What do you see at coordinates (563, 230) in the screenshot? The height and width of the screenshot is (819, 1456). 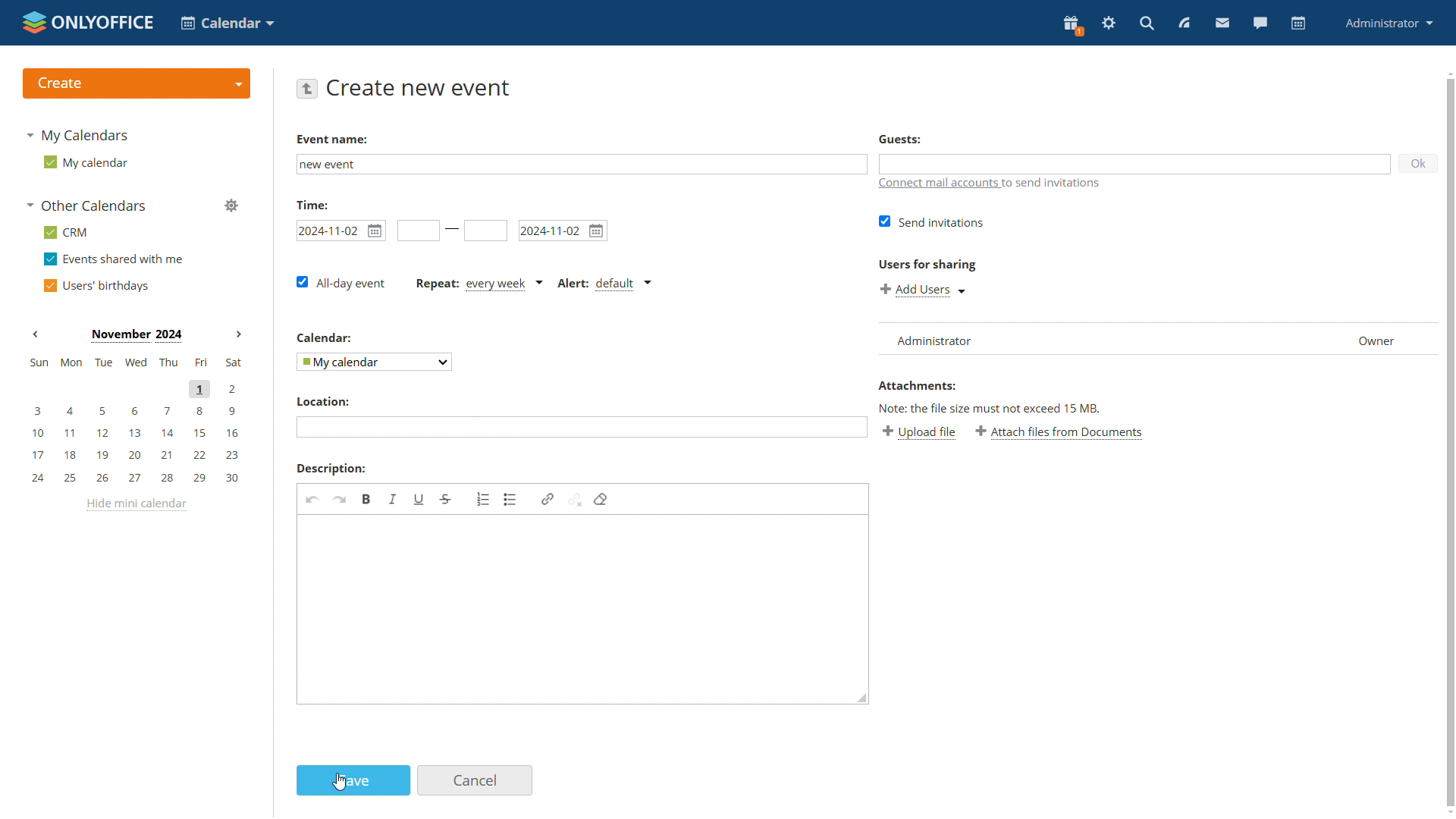 I see `event end date` at bounding box center [563, 230].